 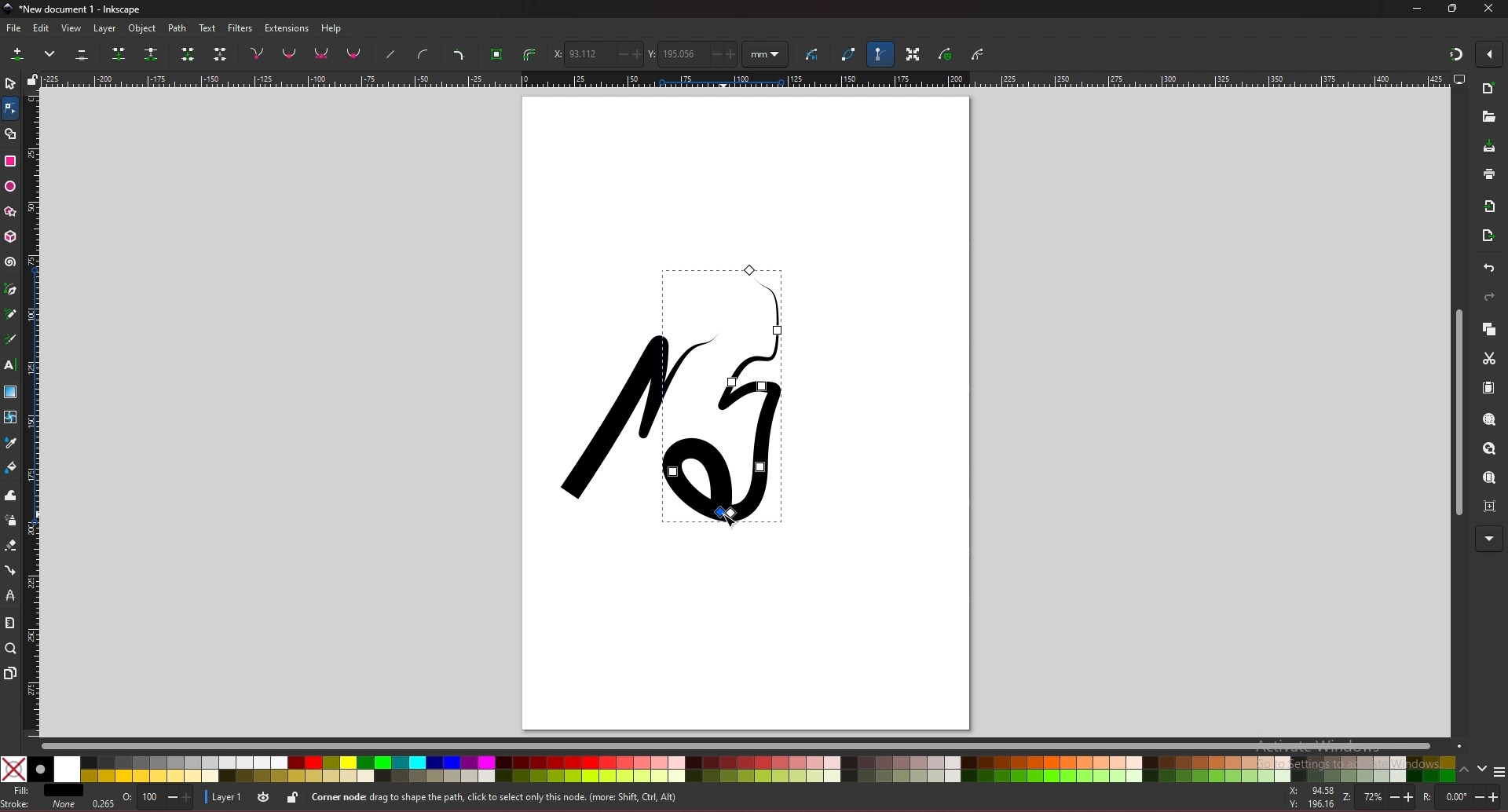 What do you see at coordinates (39, 807) in the screenshot?
I see `stroke` at bounding box center [39, 807].